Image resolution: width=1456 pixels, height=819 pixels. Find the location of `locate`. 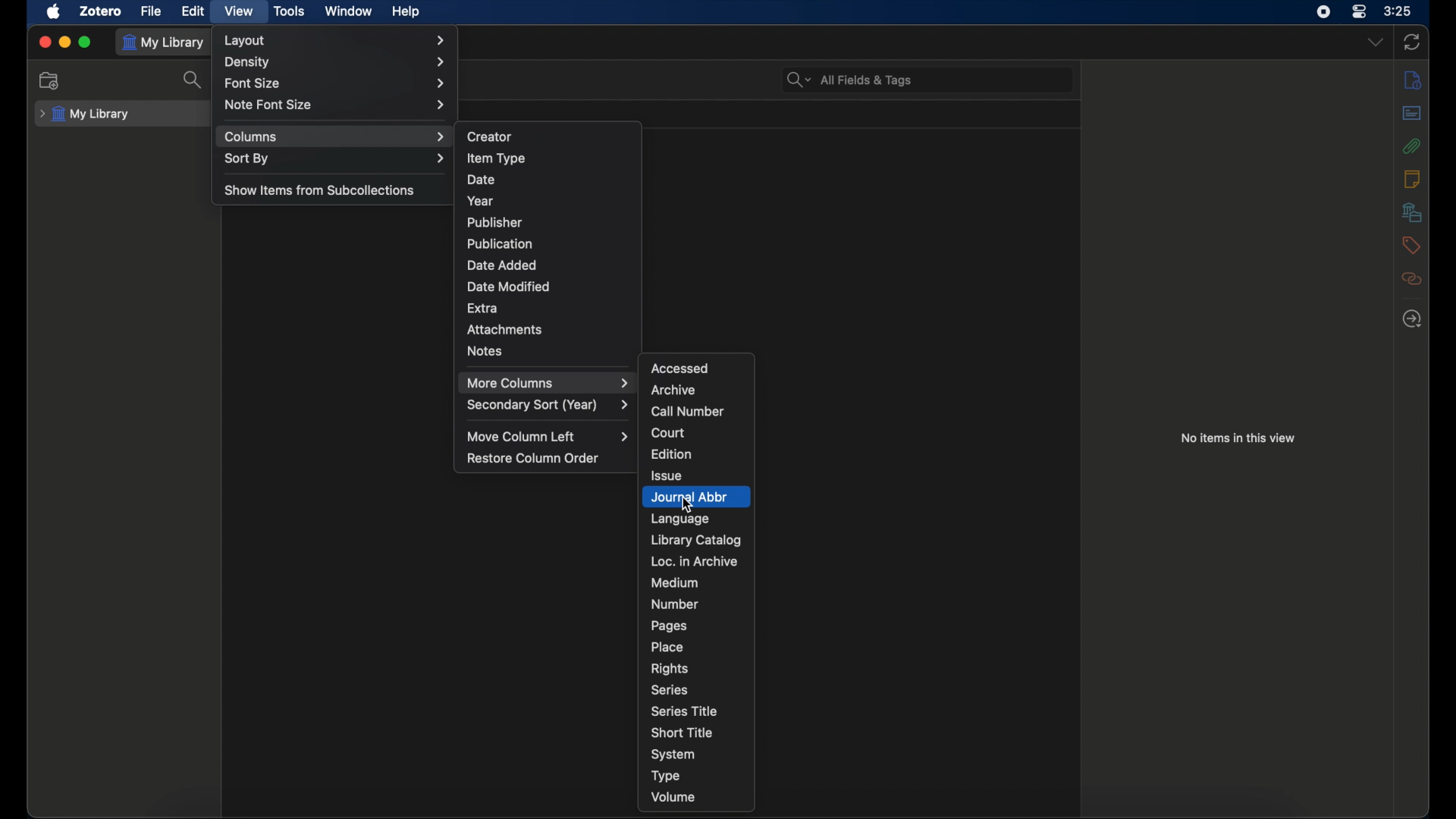

locate is located at coordinates (1412, 319).